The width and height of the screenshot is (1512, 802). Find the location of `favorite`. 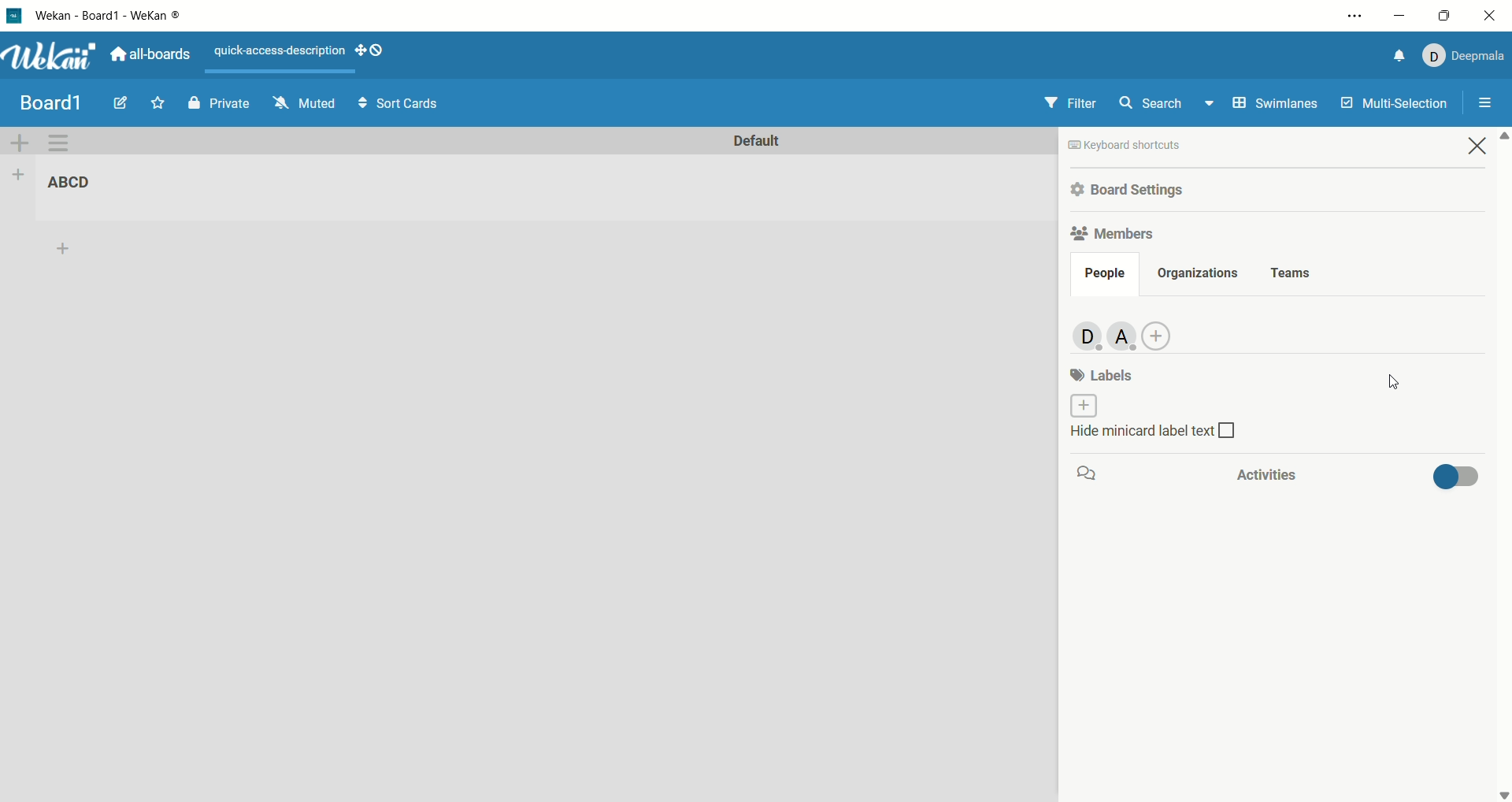

favorite is located at coordinates (157, 102).